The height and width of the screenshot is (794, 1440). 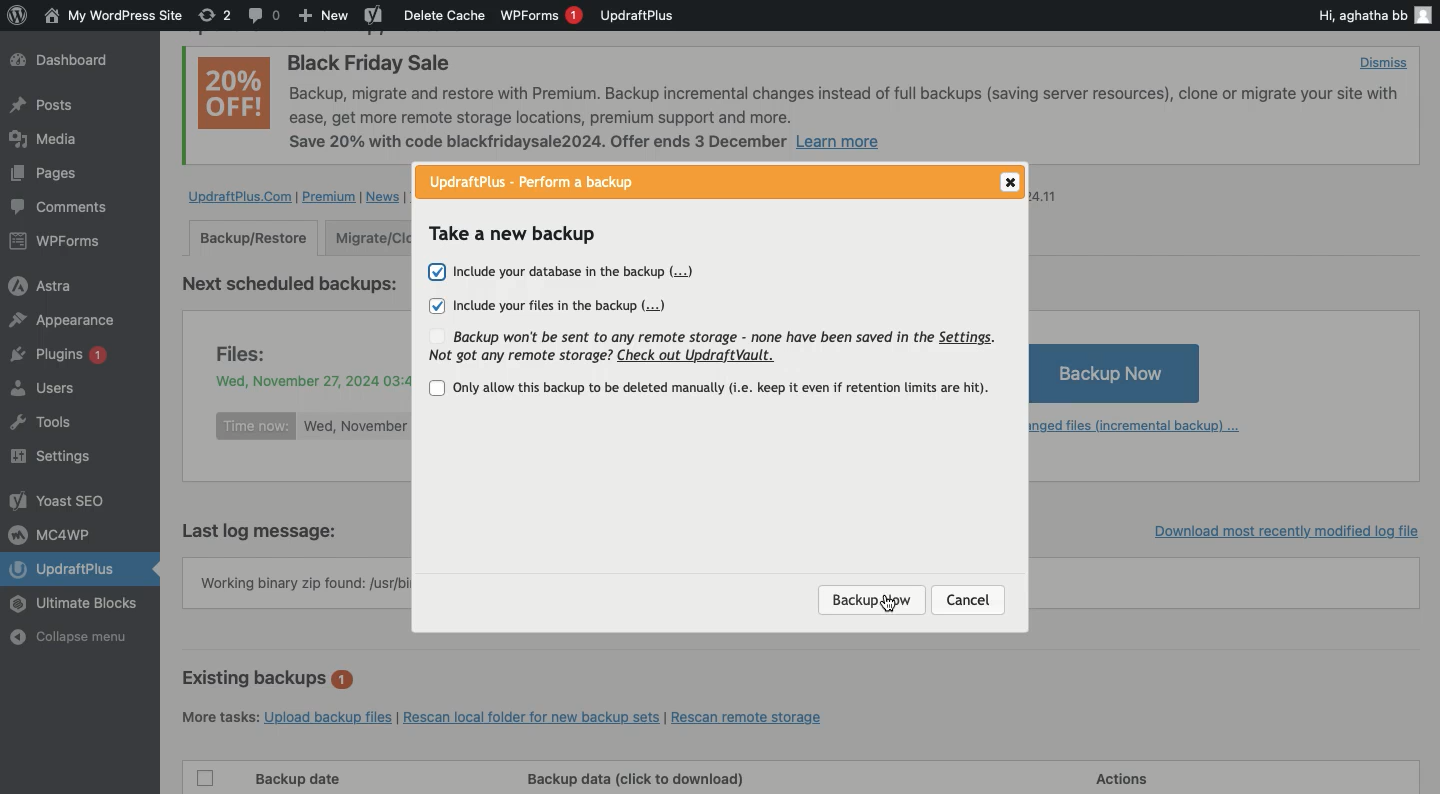 I want to click on Yoast SEO, so click(x=60, y=500).